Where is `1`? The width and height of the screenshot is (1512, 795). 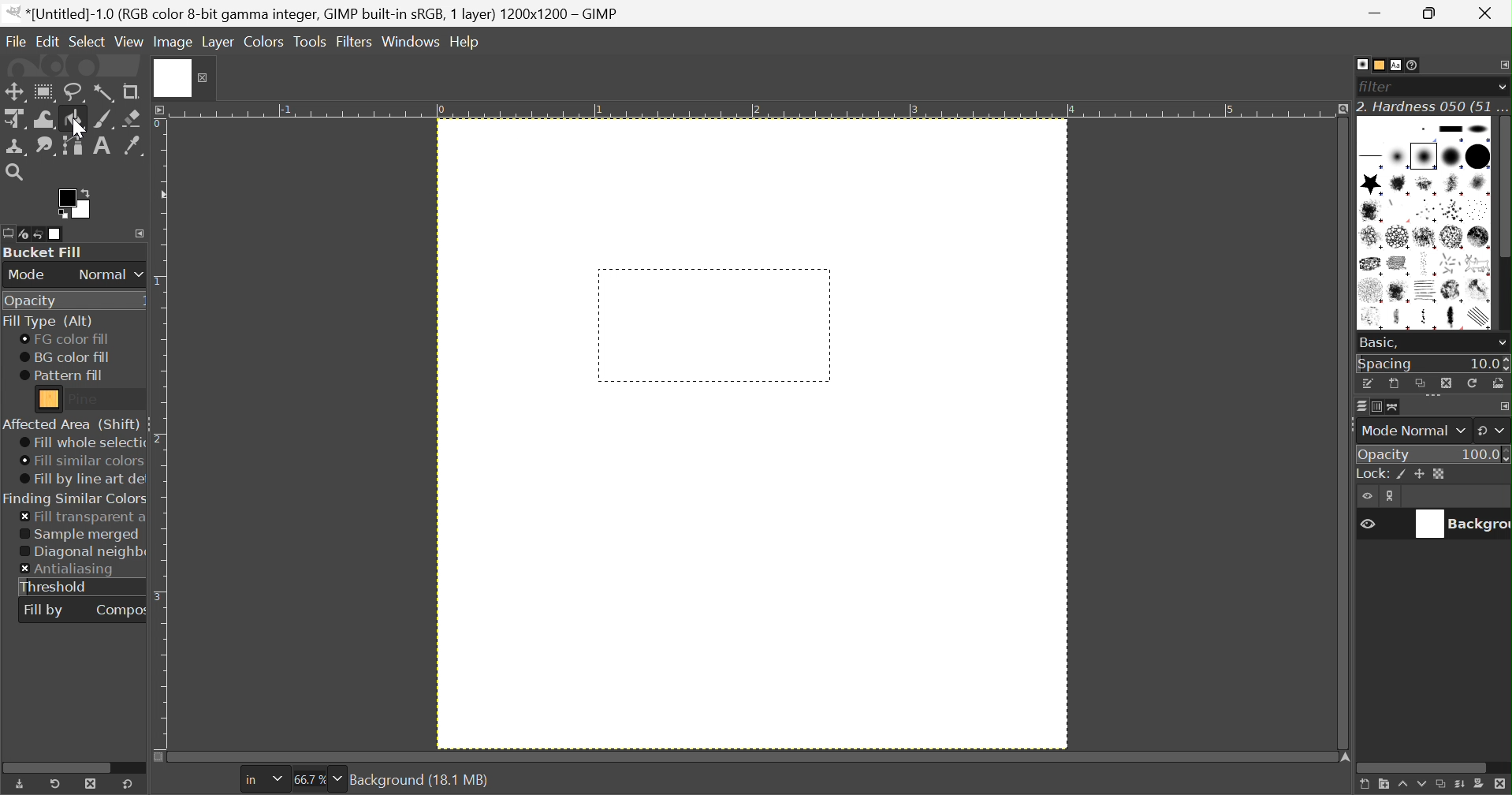
1 is located at coordinates (159, 283).